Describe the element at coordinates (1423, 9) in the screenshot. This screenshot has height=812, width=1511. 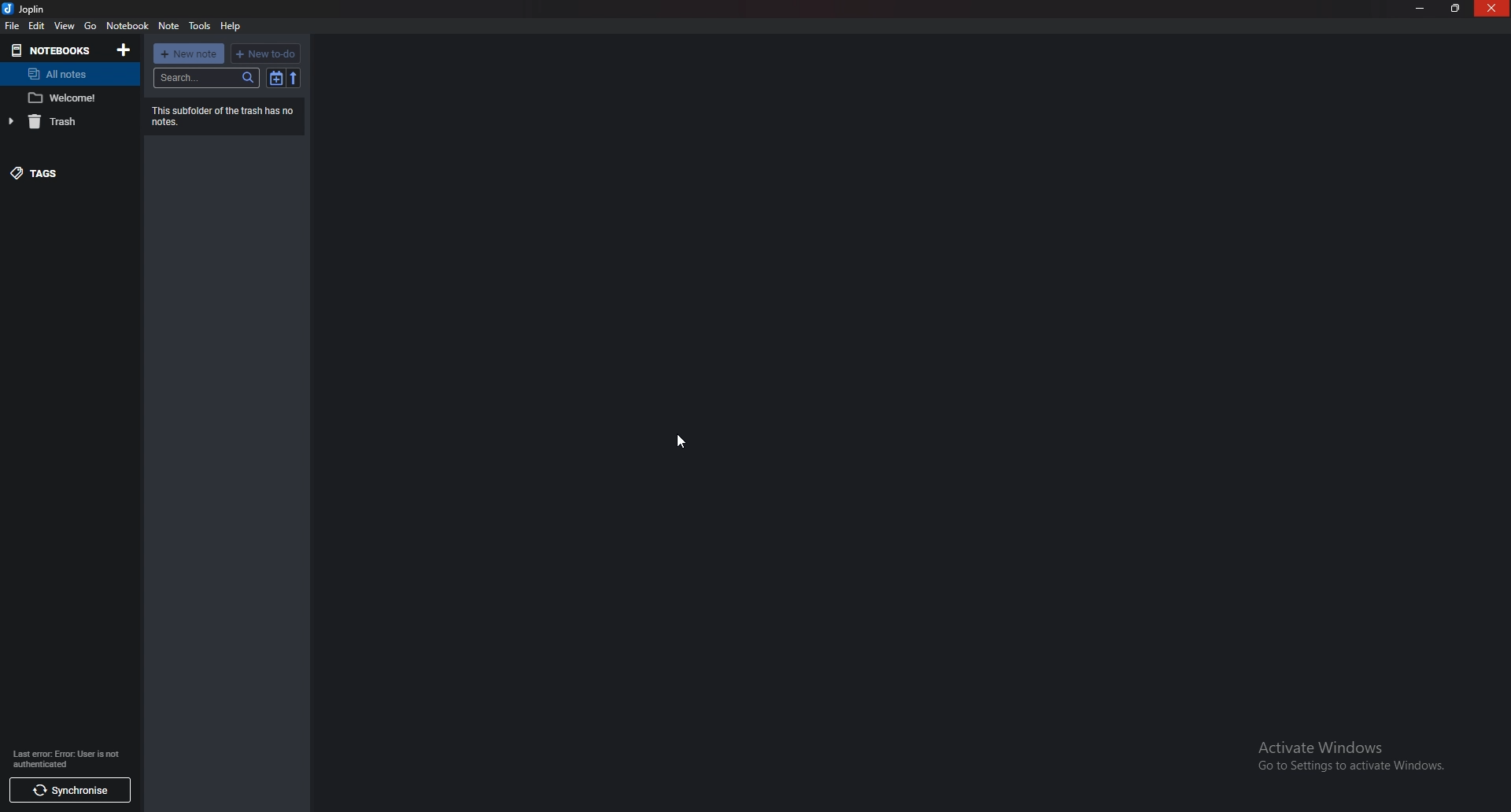
I see `minimize` at that location.